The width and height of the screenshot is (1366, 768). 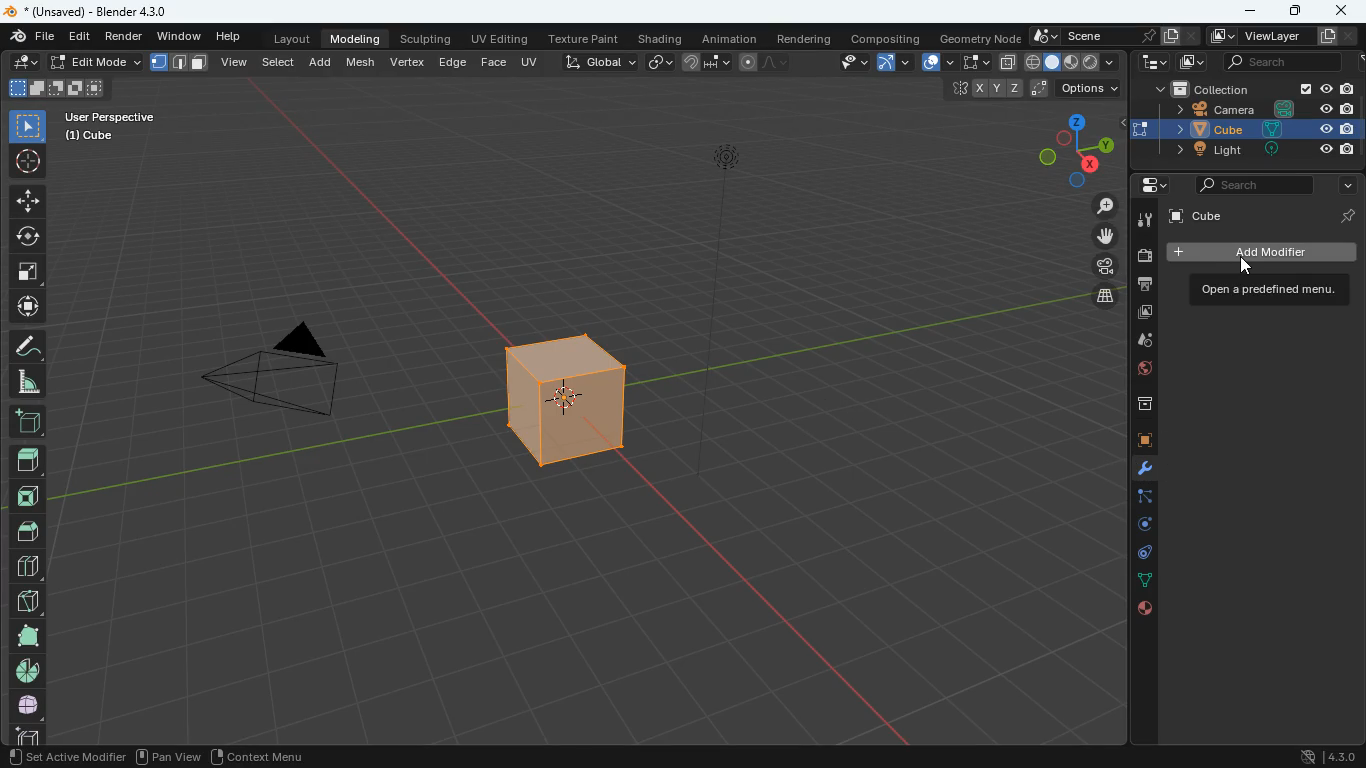 What do you see at coordinates (125, 35) in the screenshot?
I see `render` at bounding box center [125, 35].